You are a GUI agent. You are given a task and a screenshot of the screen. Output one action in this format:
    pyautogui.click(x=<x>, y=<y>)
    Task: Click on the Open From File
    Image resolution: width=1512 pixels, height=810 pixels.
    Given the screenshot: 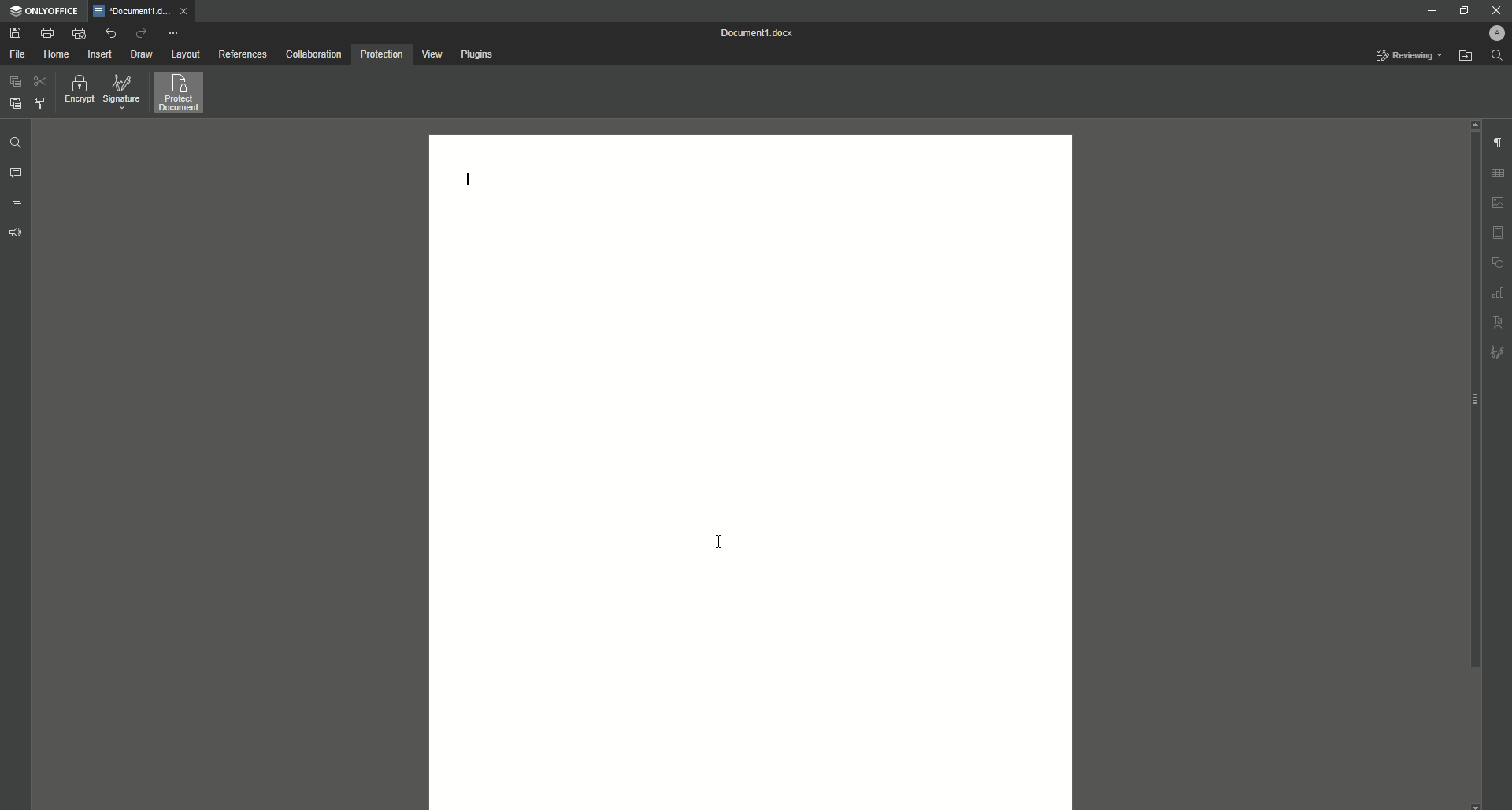 What is the action you would take?
    pyautogui.click(x=1464, y=56)
    